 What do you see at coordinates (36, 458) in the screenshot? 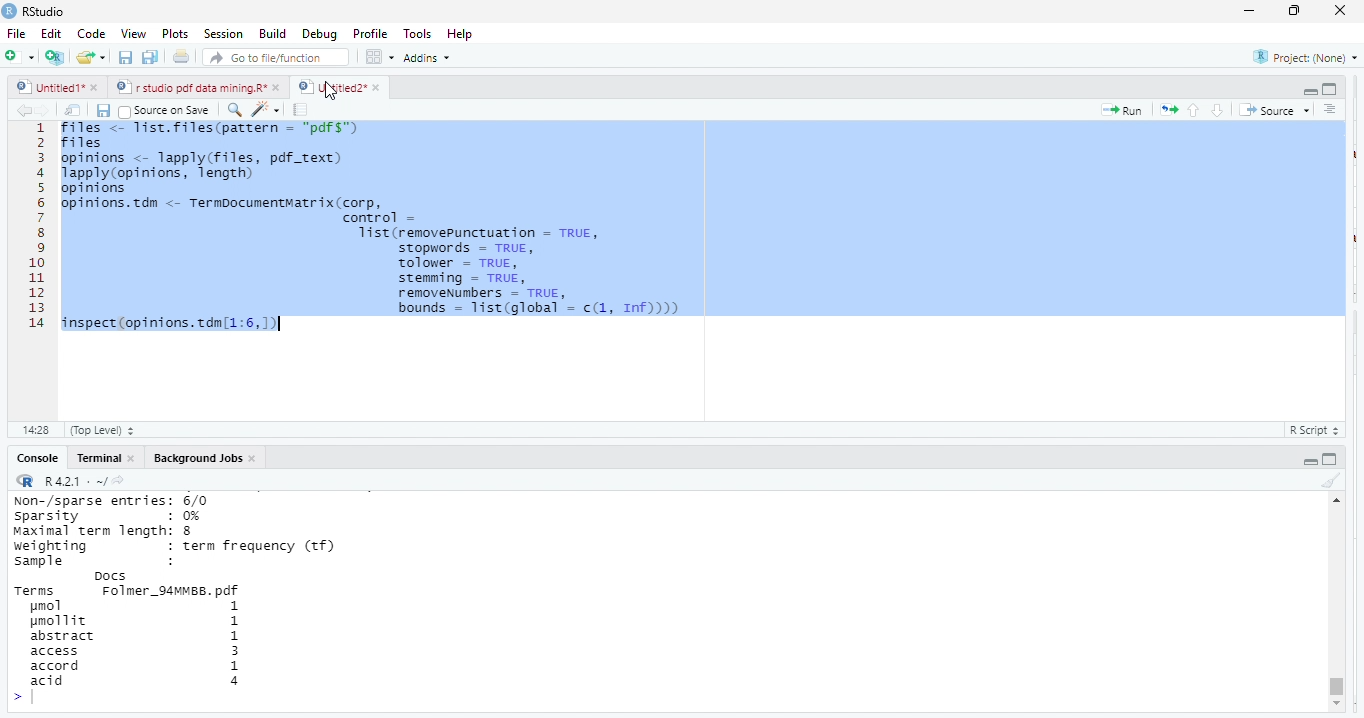
I see `console` at bounding box center [36, 458].